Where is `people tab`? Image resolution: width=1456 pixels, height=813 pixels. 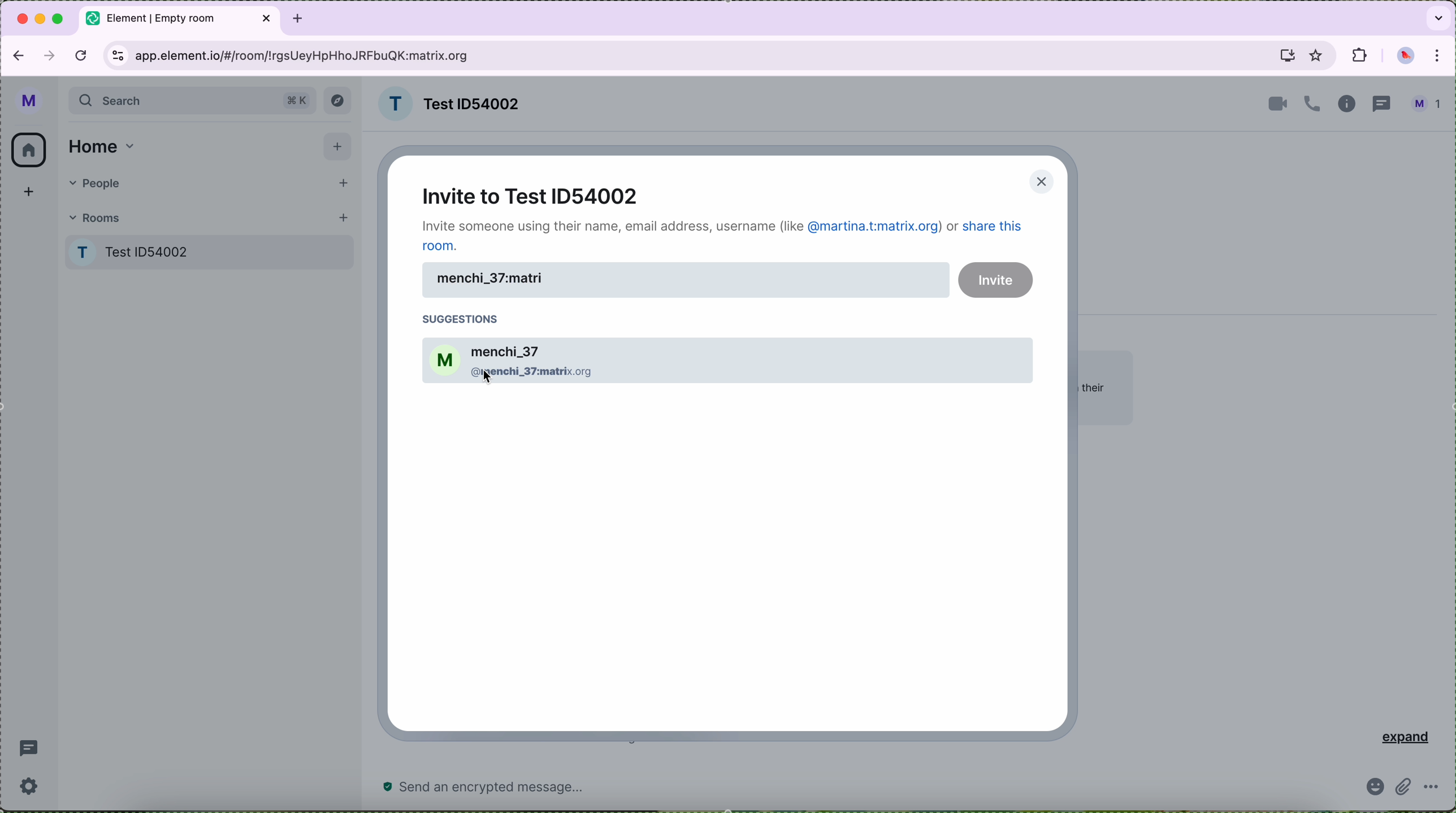
people tab is located at coordinates (207, 181).